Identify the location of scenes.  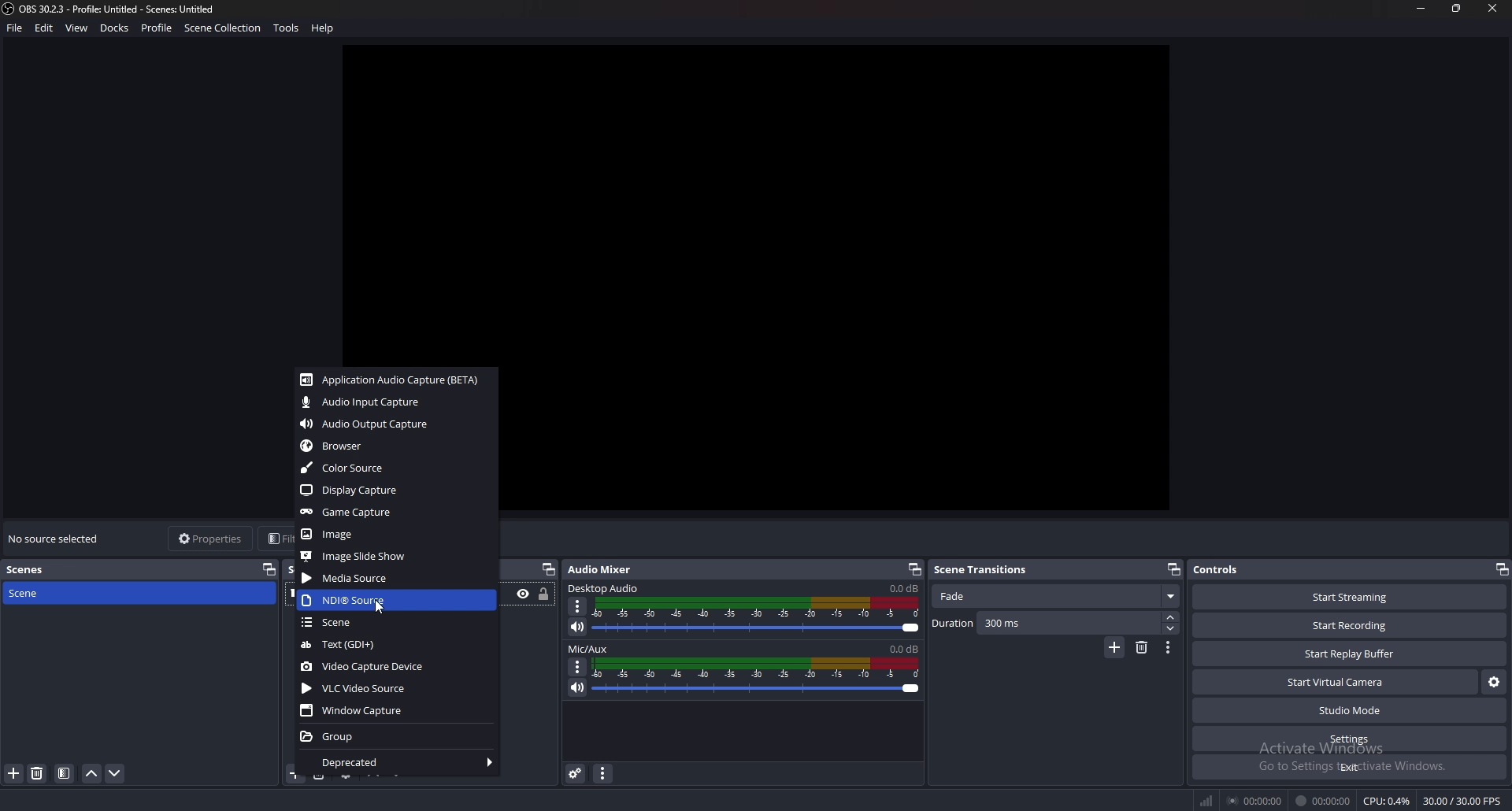
(40, 569).